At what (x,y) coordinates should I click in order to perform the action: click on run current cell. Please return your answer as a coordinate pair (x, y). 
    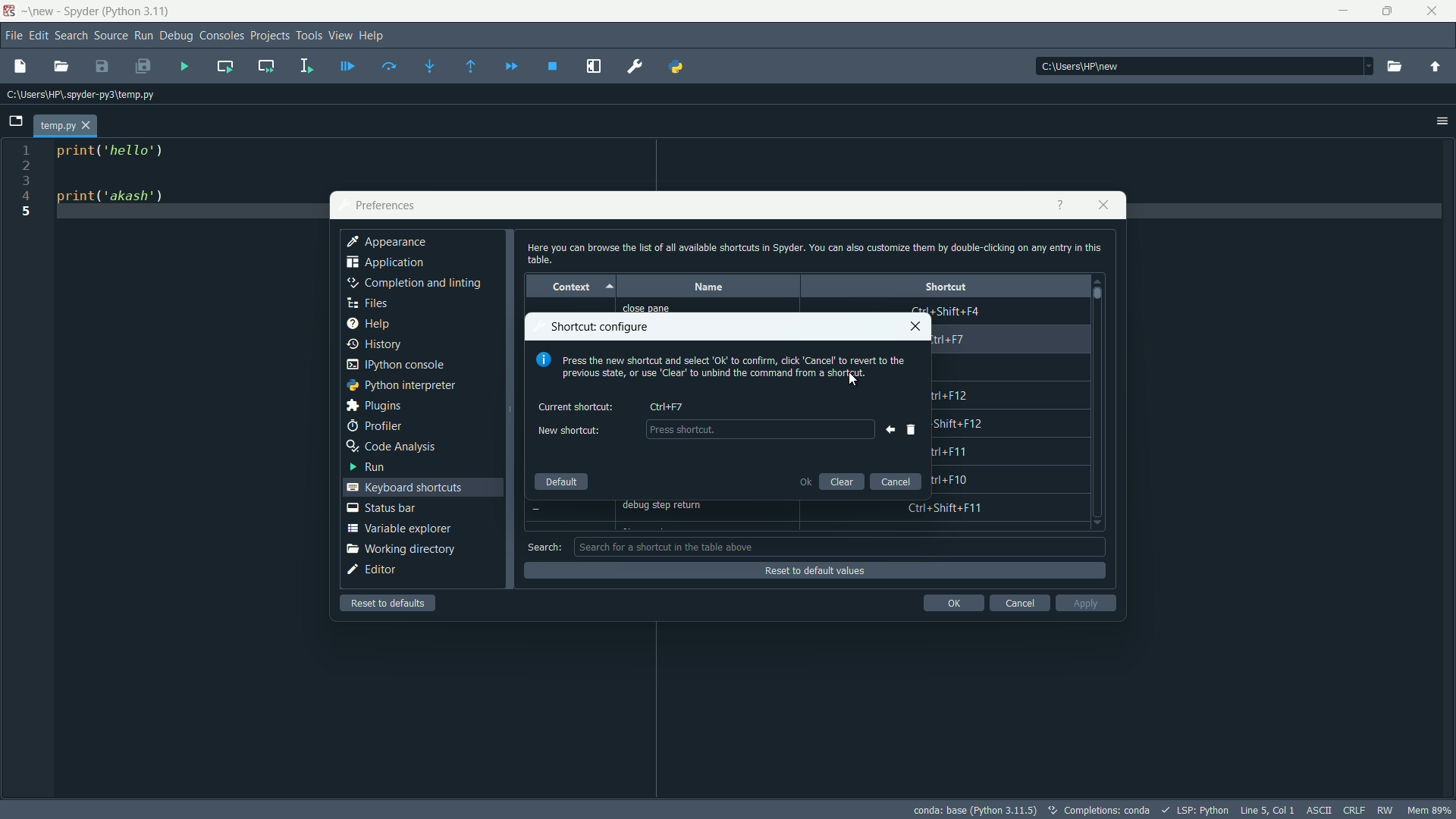
    Looking at the image, I should click on (225, 66).